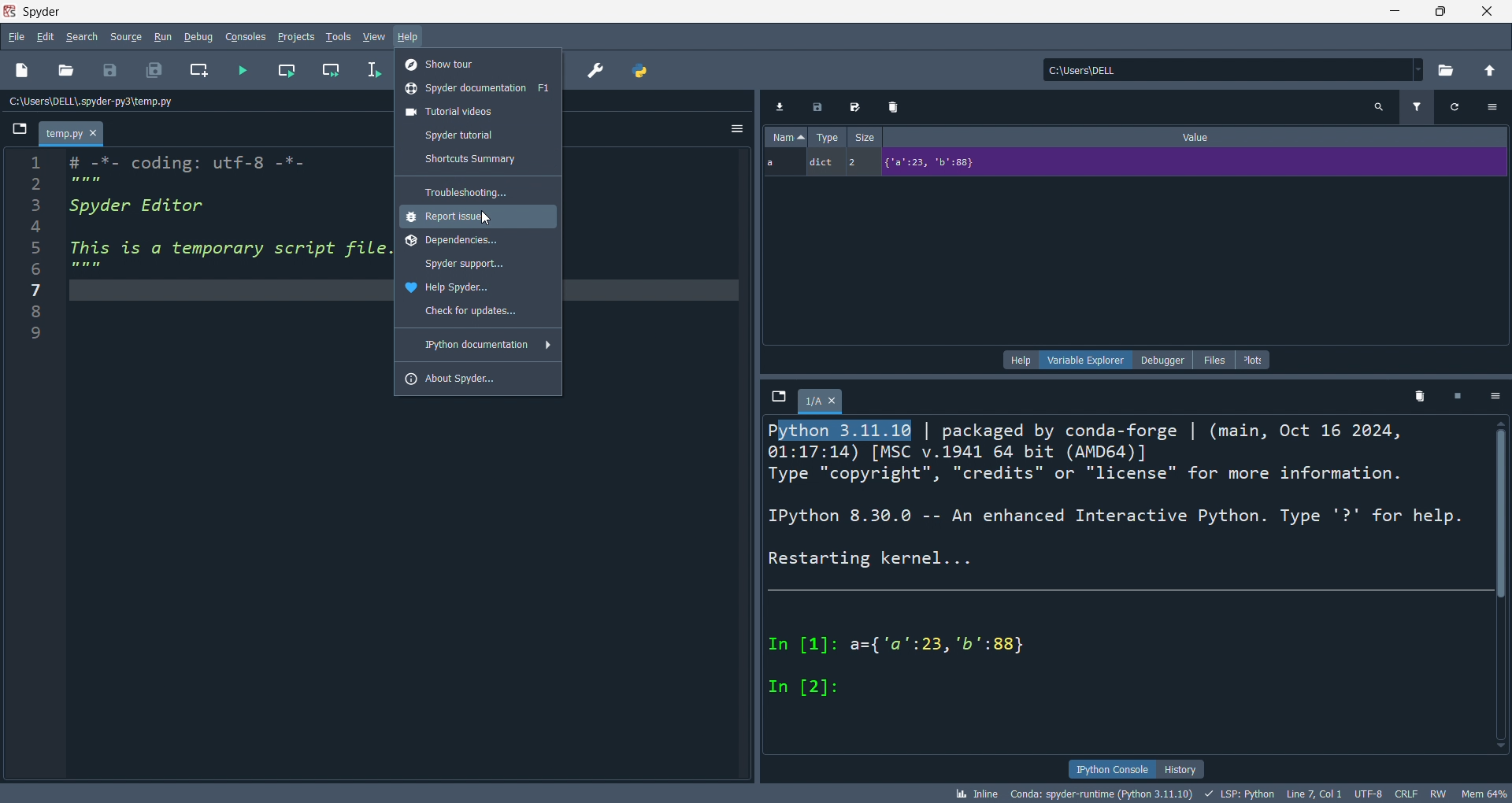 Image resolution: width=1512 pixels, height=803 pixels. Describe the element at coordinates (1446, 71) in the screenshot. I see `open directory` at that location.